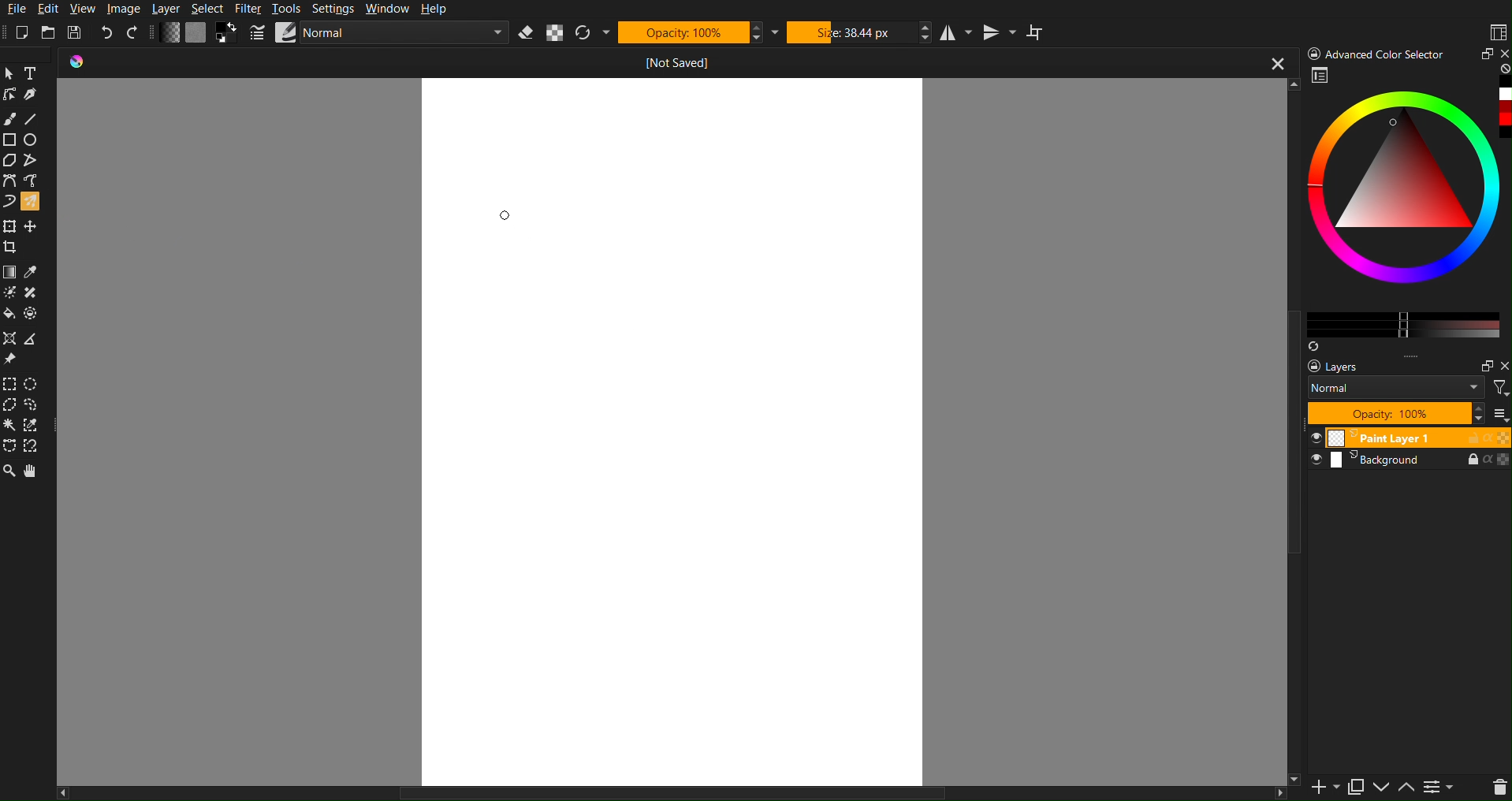 Image resolution: width=1512 pixels, height=801 pixels. I want to click on workspace, so click(1321, 77).